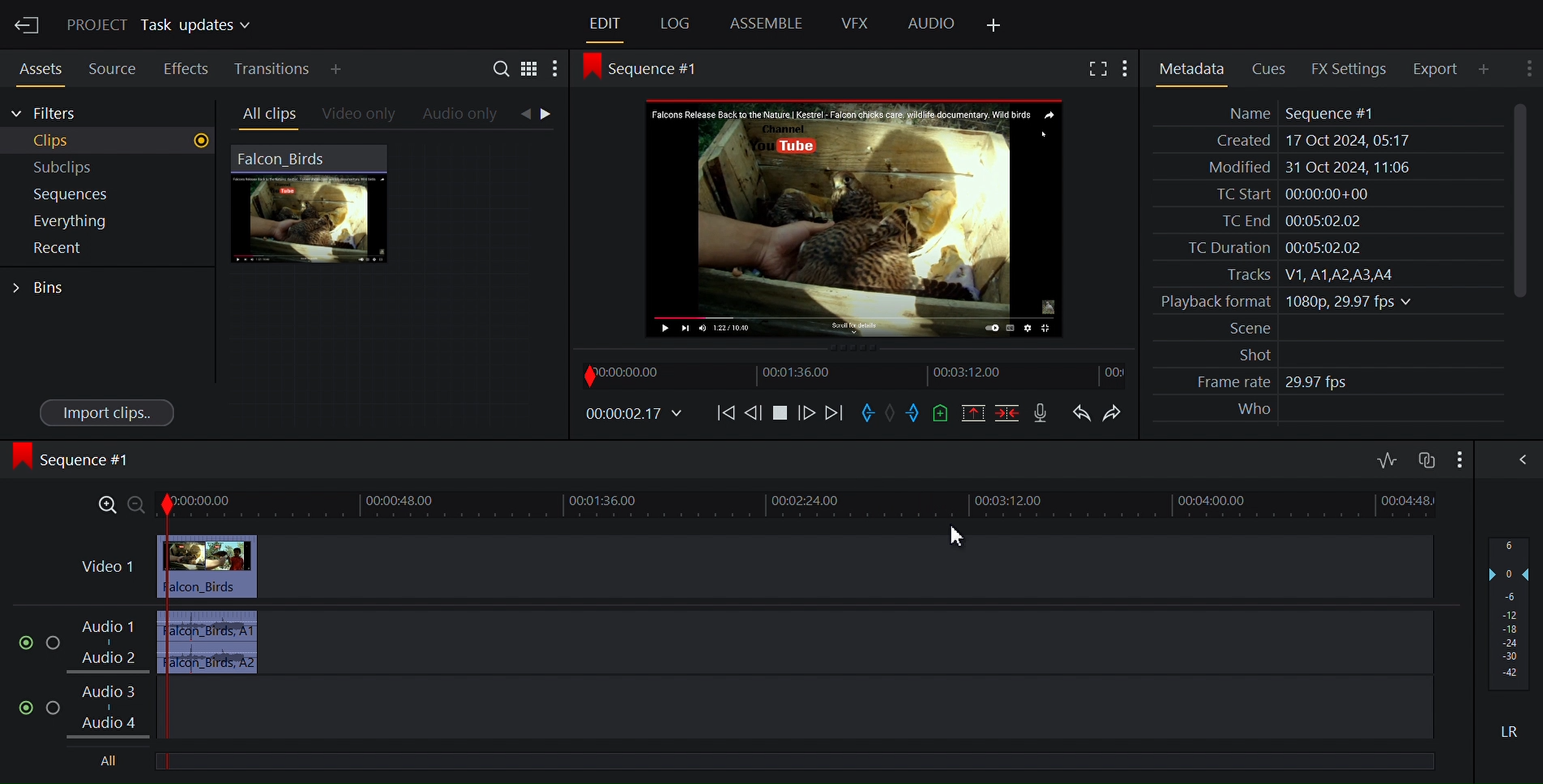  Describe the element at coordinates (336, 68) in the screenshot. I see `Add Panel` at that location.